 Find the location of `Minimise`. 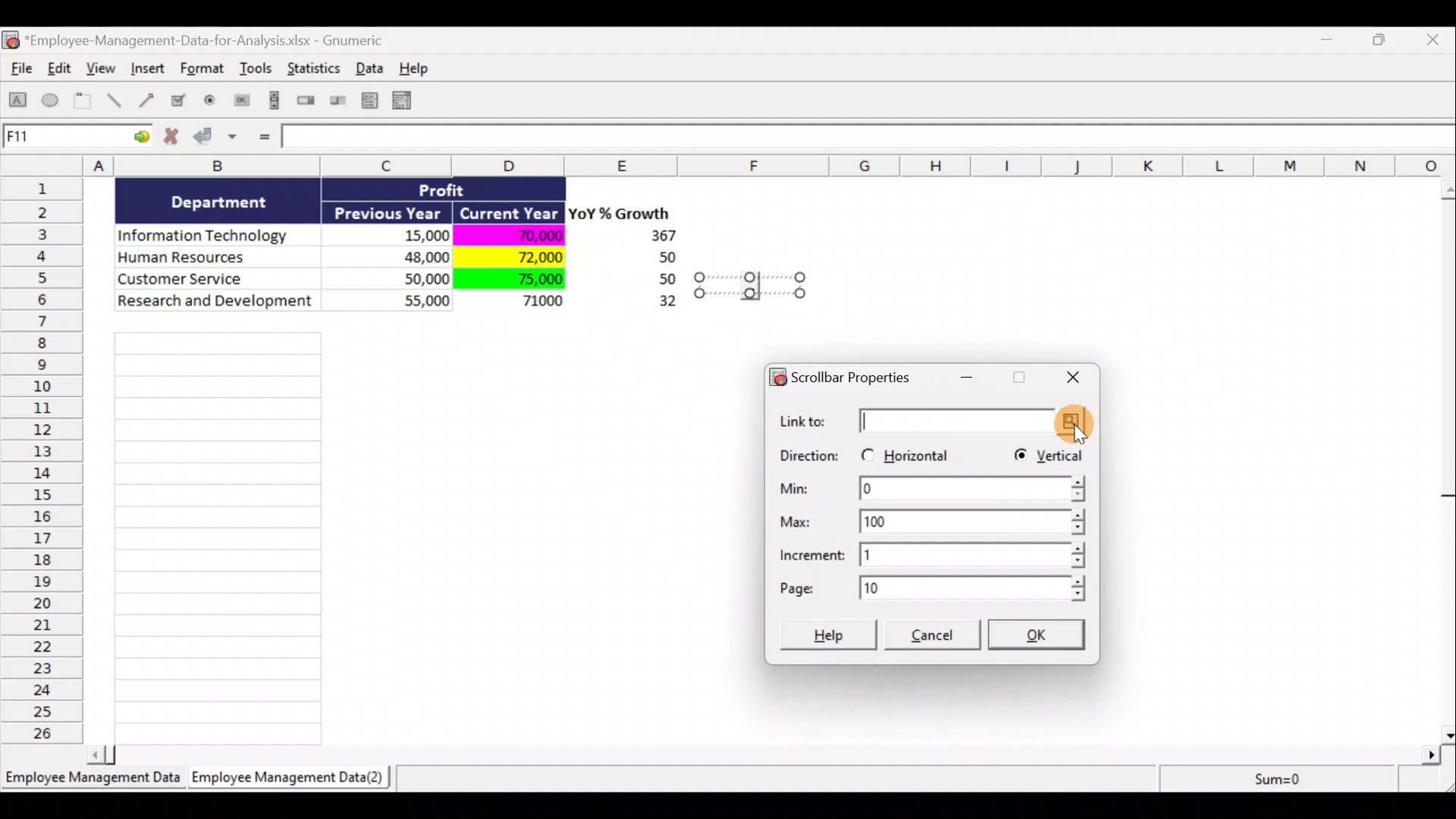

Minimise is located at coordinates (971, 382).